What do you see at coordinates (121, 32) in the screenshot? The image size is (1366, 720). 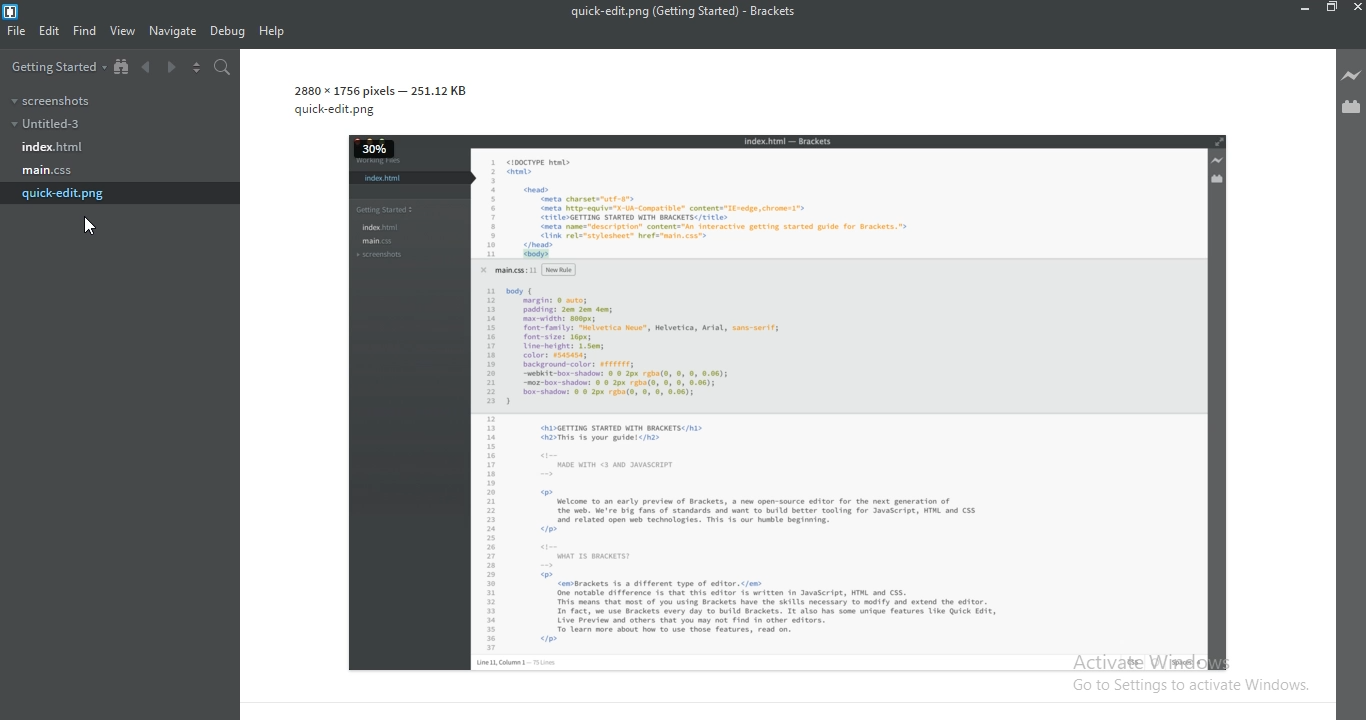 I see `view` at bounding box center [121, 32].